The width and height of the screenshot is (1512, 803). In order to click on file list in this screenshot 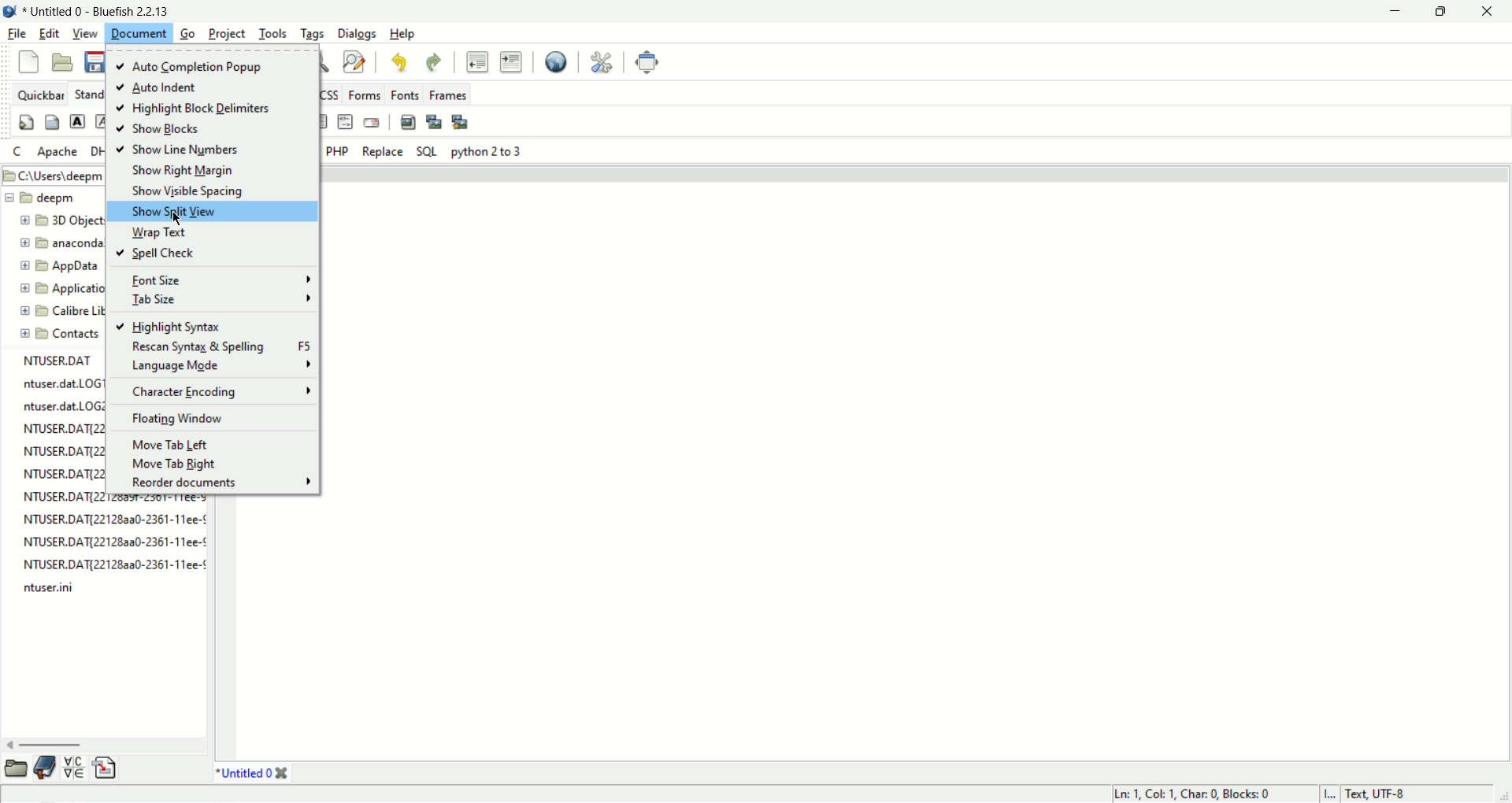, I will do `click(60, 422)`.